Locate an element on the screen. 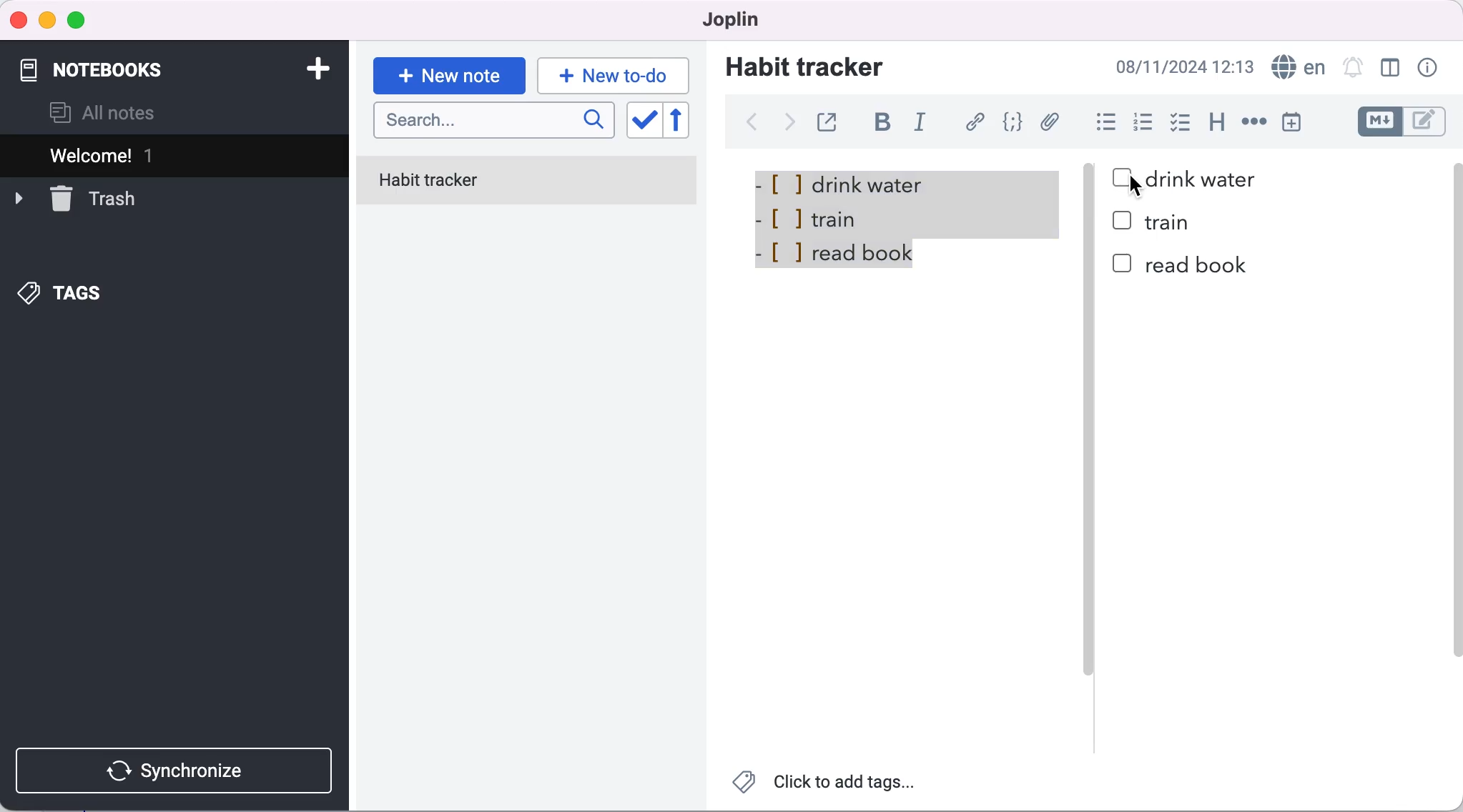 This screenshot has width=1463, height=812. bold is located at coordinates (888, 124).